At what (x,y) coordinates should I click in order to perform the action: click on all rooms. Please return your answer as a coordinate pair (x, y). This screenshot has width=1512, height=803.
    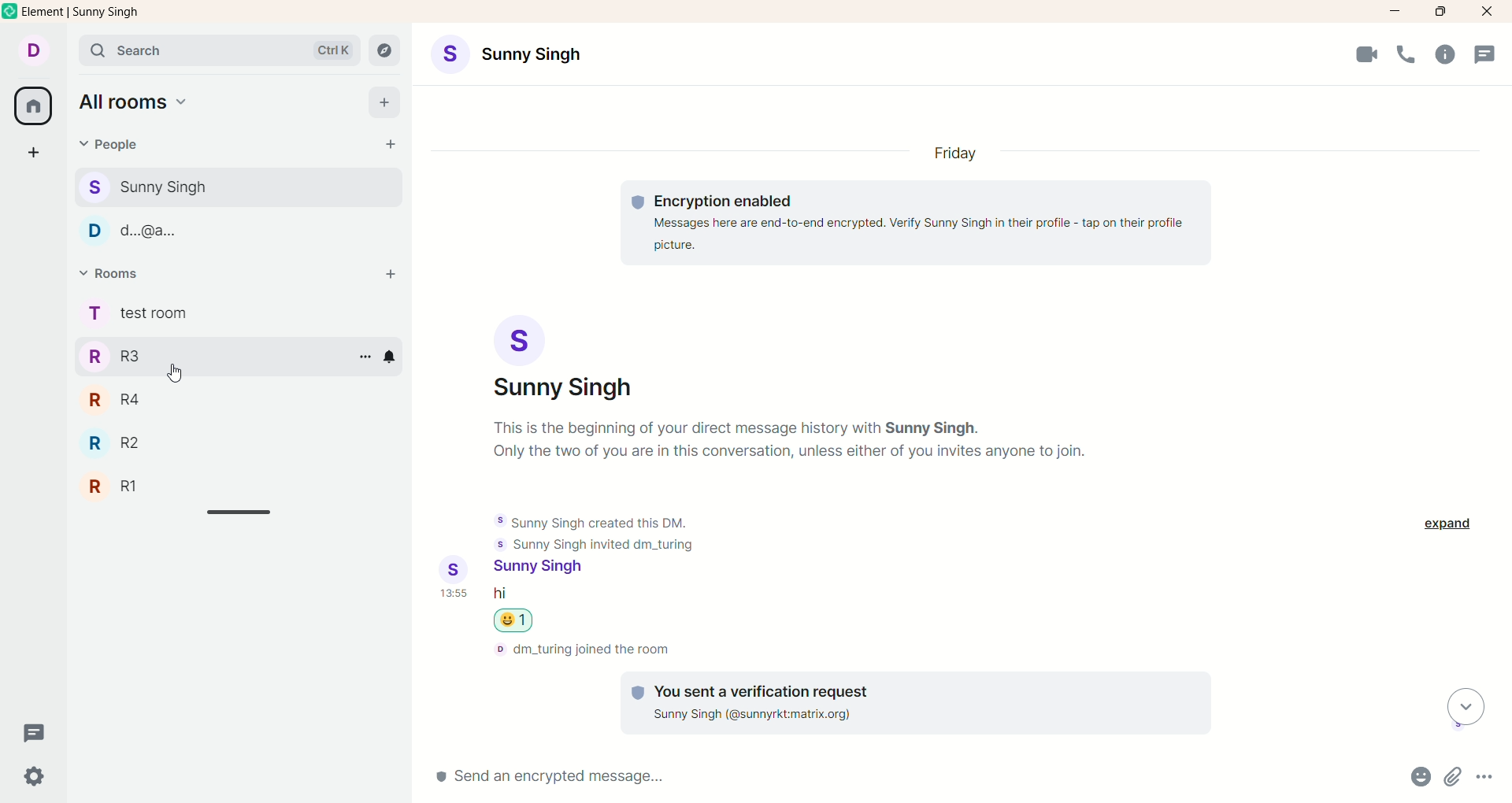
    Looking at the image, I should click on (31, 109).